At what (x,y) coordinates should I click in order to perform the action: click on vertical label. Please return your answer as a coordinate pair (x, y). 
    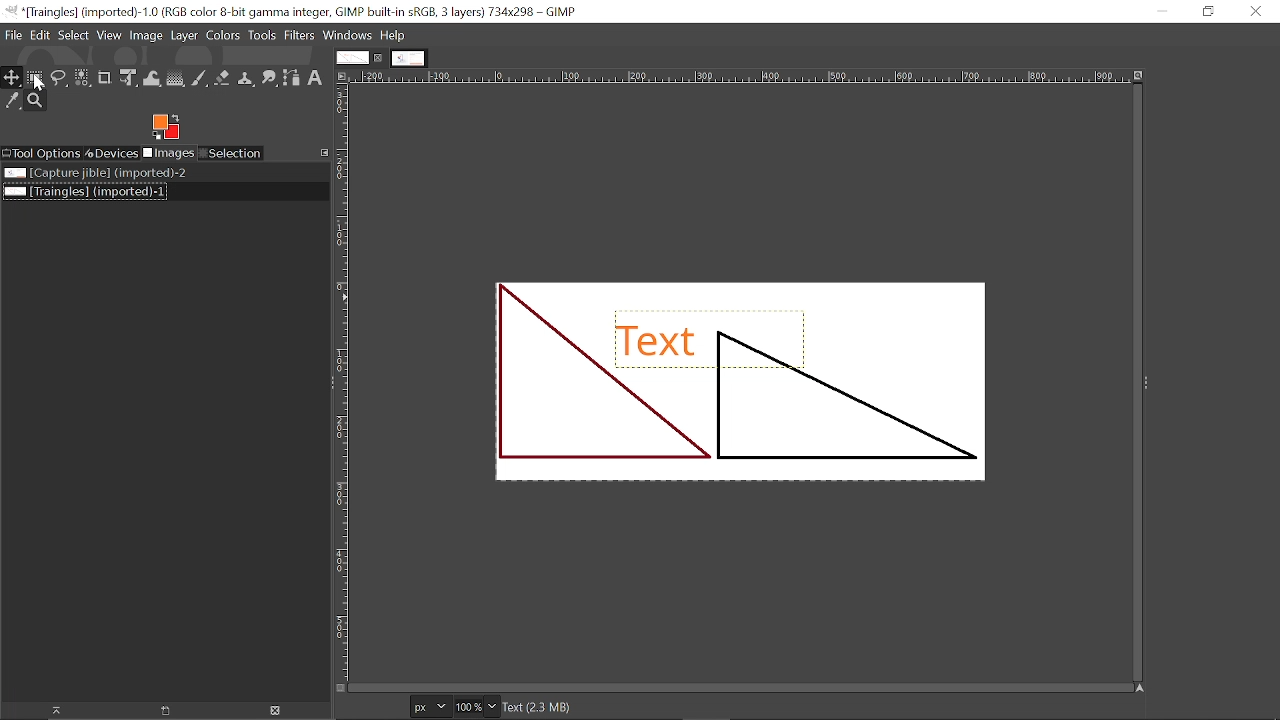
    Looking at the image, I should click on (343, 384).